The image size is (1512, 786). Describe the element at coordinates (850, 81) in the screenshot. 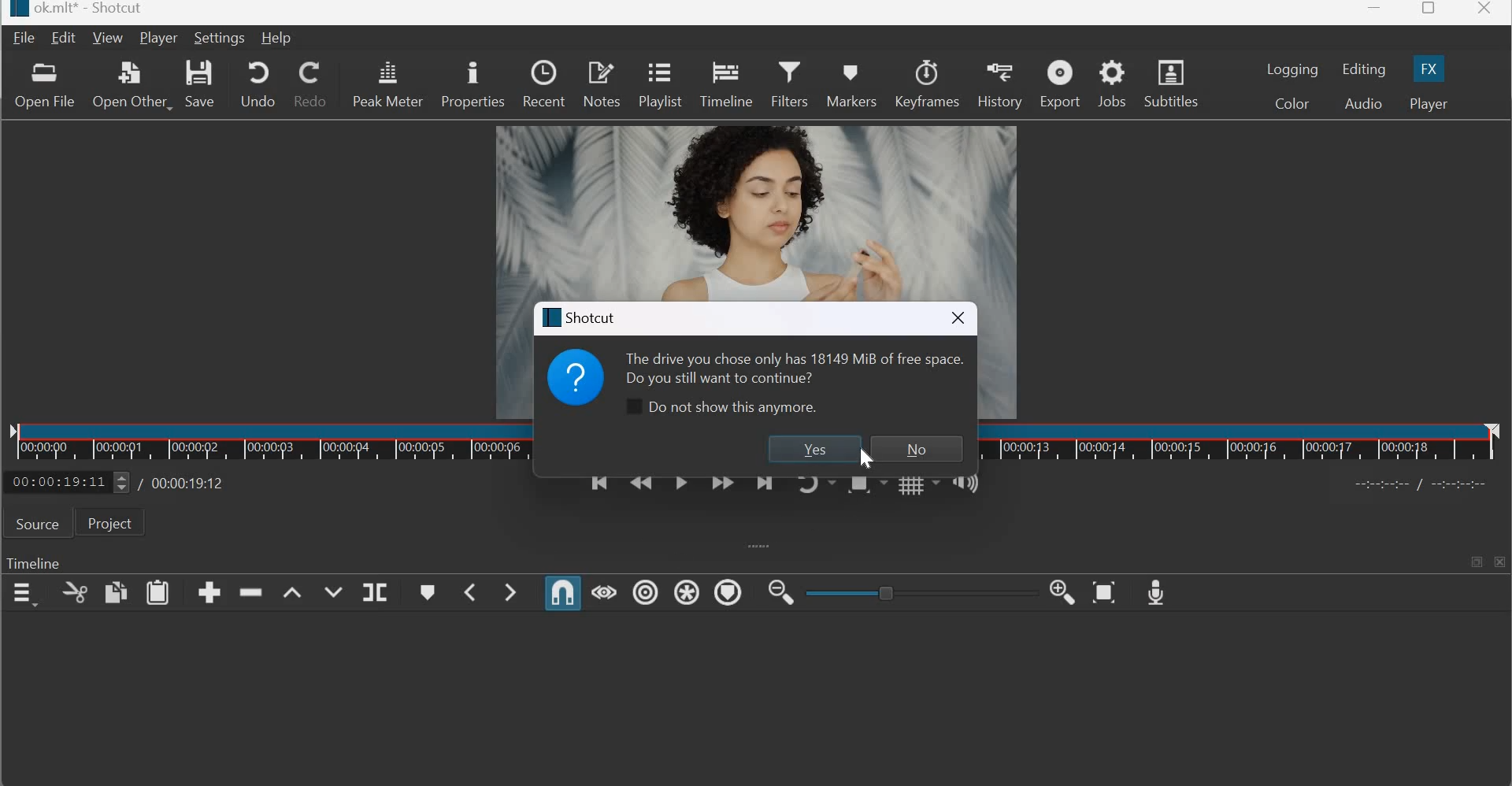

I see `Markers` at that location.